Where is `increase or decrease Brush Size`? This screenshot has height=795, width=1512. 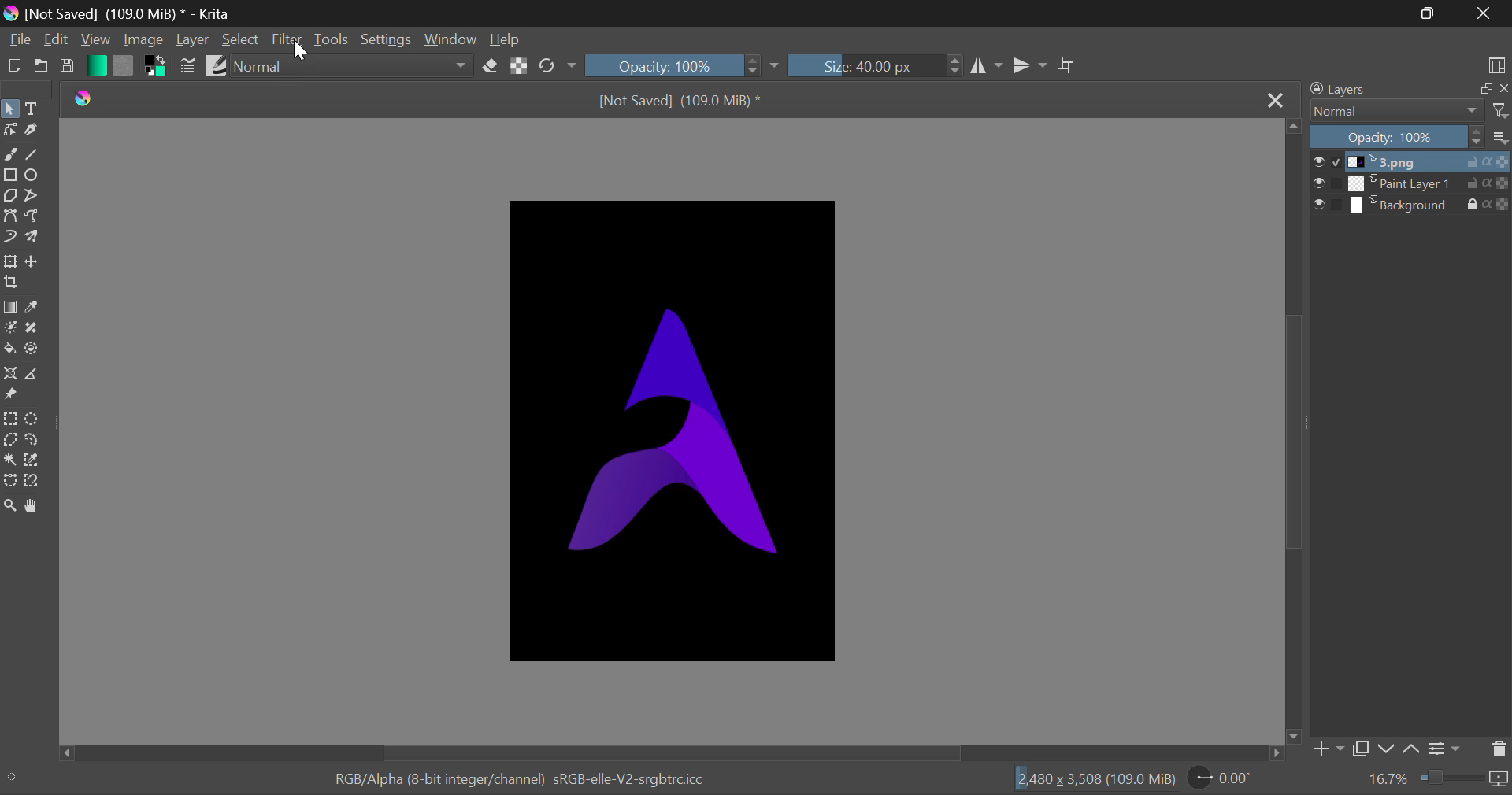 increase or decrease Brush Size is located at coordinates (955, 68).